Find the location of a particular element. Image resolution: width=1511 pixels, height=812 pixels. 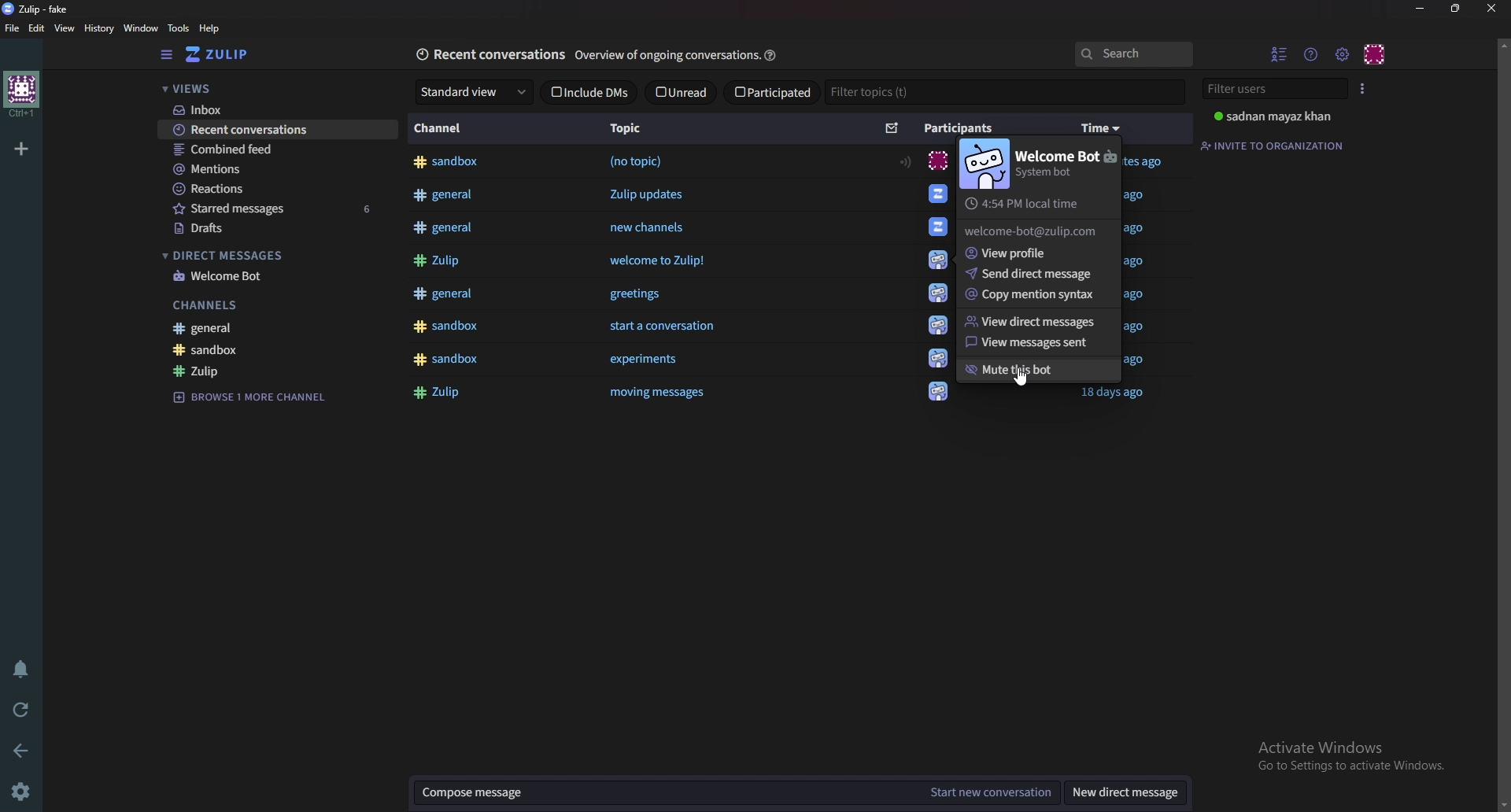

greetings is located at coordinates (635, 294).